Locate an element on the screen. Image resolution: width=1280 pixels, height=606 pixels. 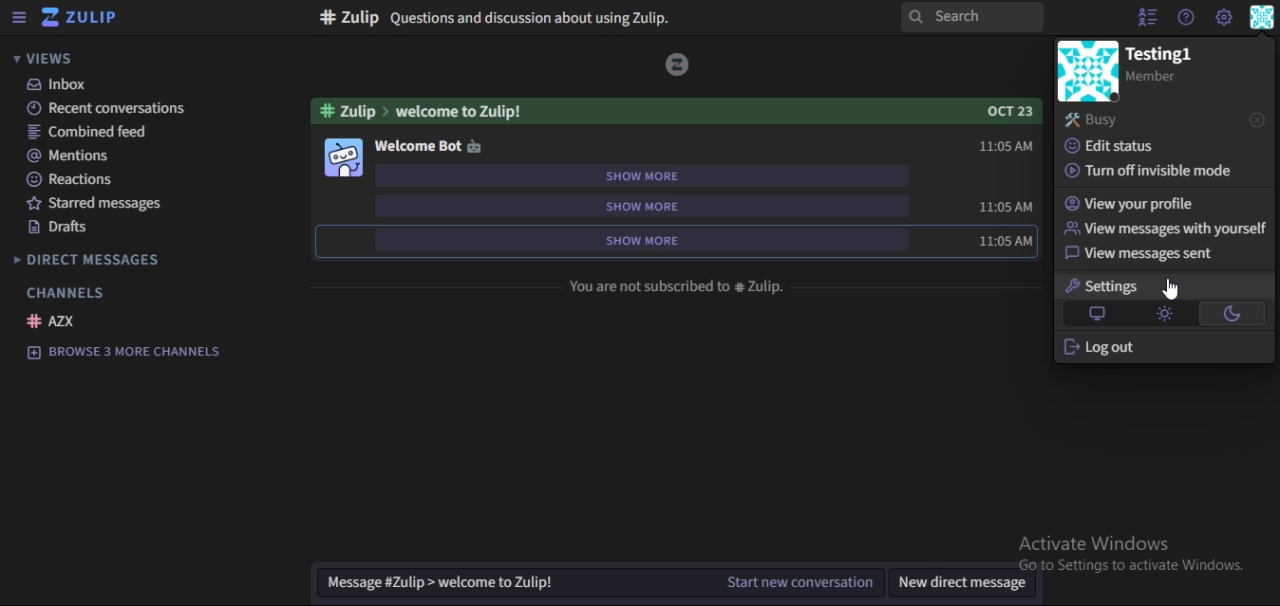
11:05 AM is located at coordinates (1008, 207).